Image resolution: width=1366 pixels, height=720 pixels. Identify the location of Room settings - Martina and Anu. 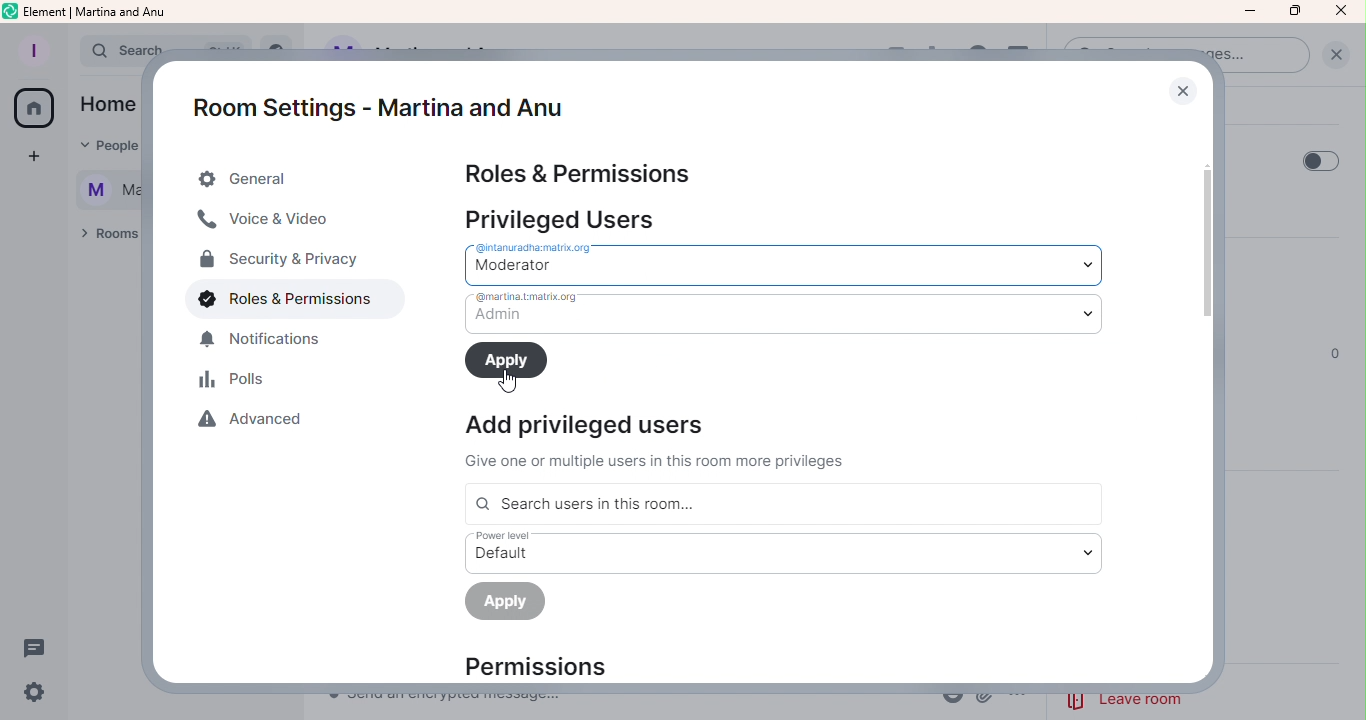
(371, 96).